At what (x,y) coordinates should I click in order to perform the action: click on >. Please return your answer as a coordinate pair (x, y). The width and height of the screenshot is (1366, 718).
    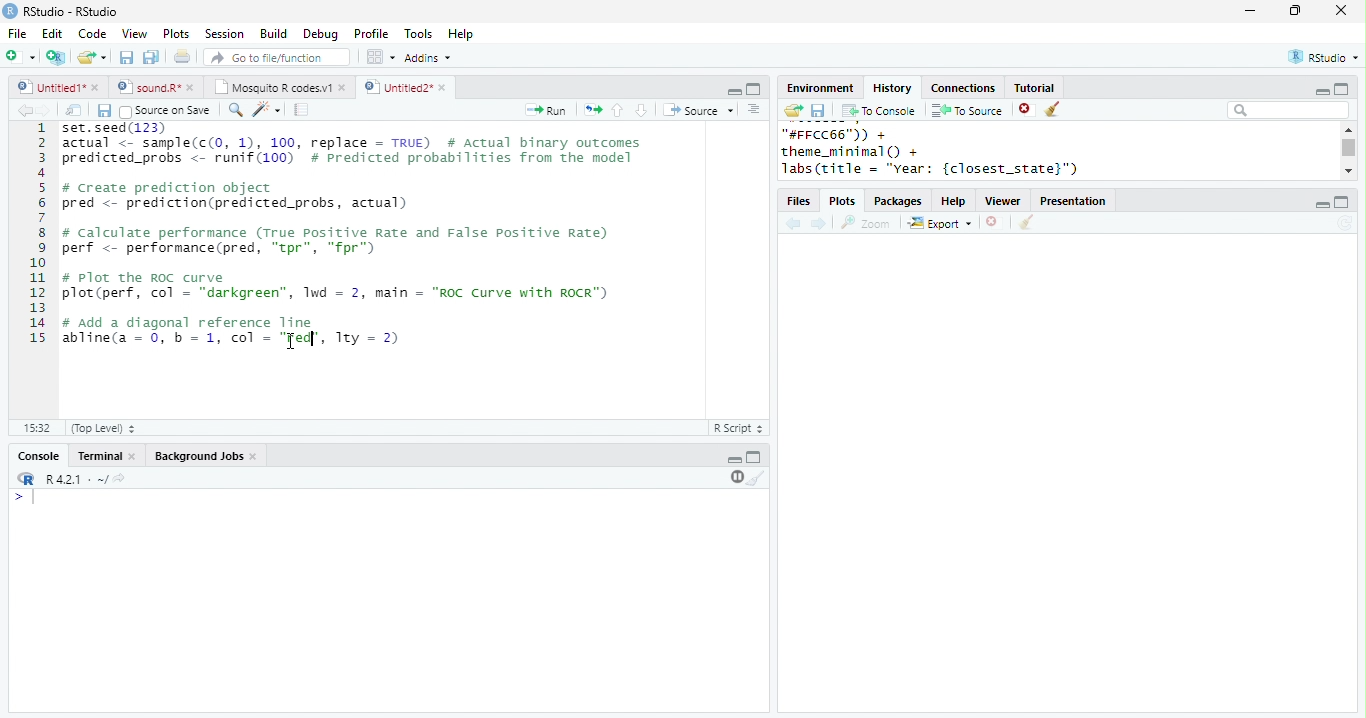
    Looking at the image, I should click on (27, 497).